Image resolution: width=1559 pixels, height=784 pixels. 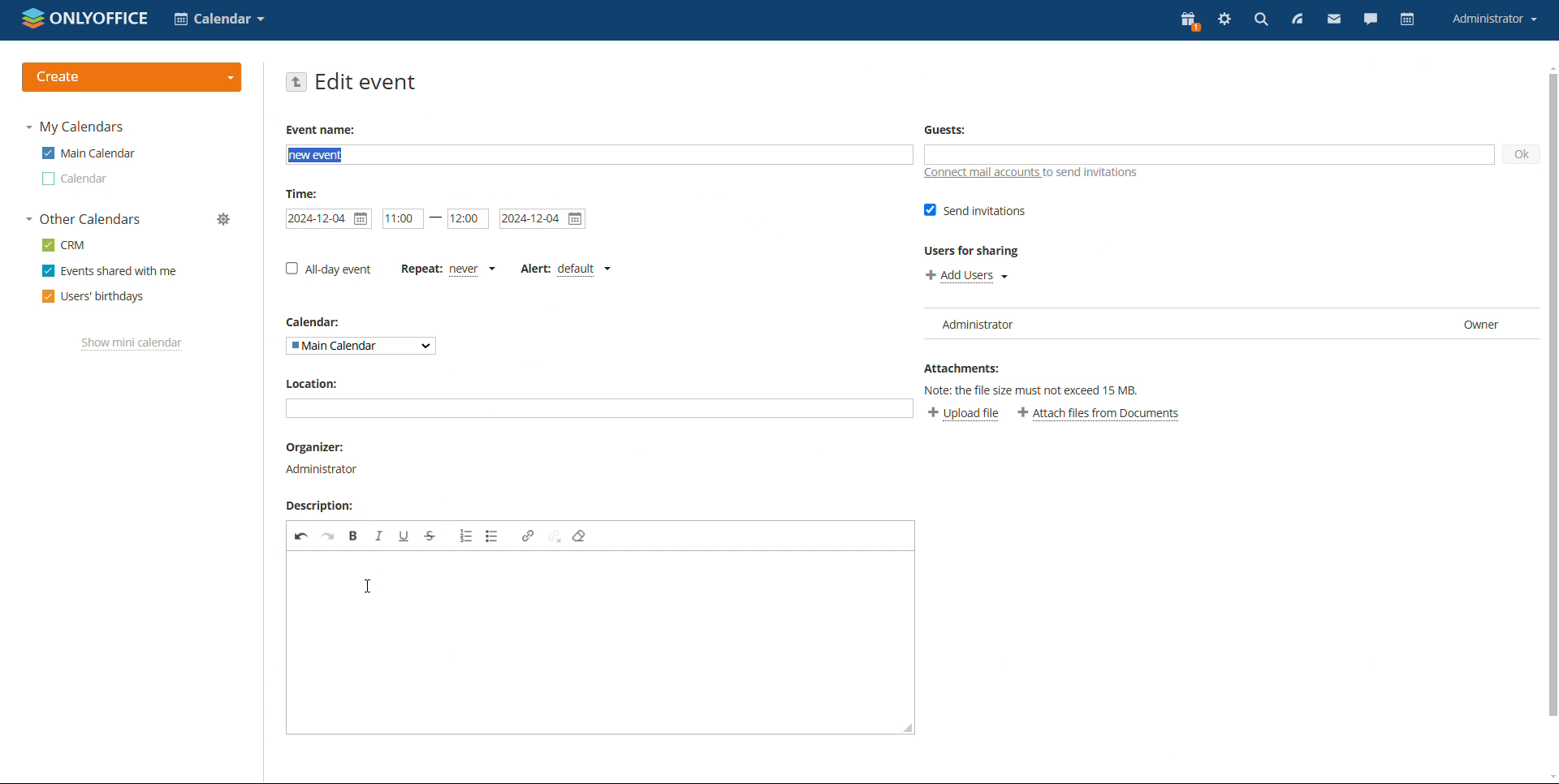 I want to click on select calendar, so click(x=361, y=346).